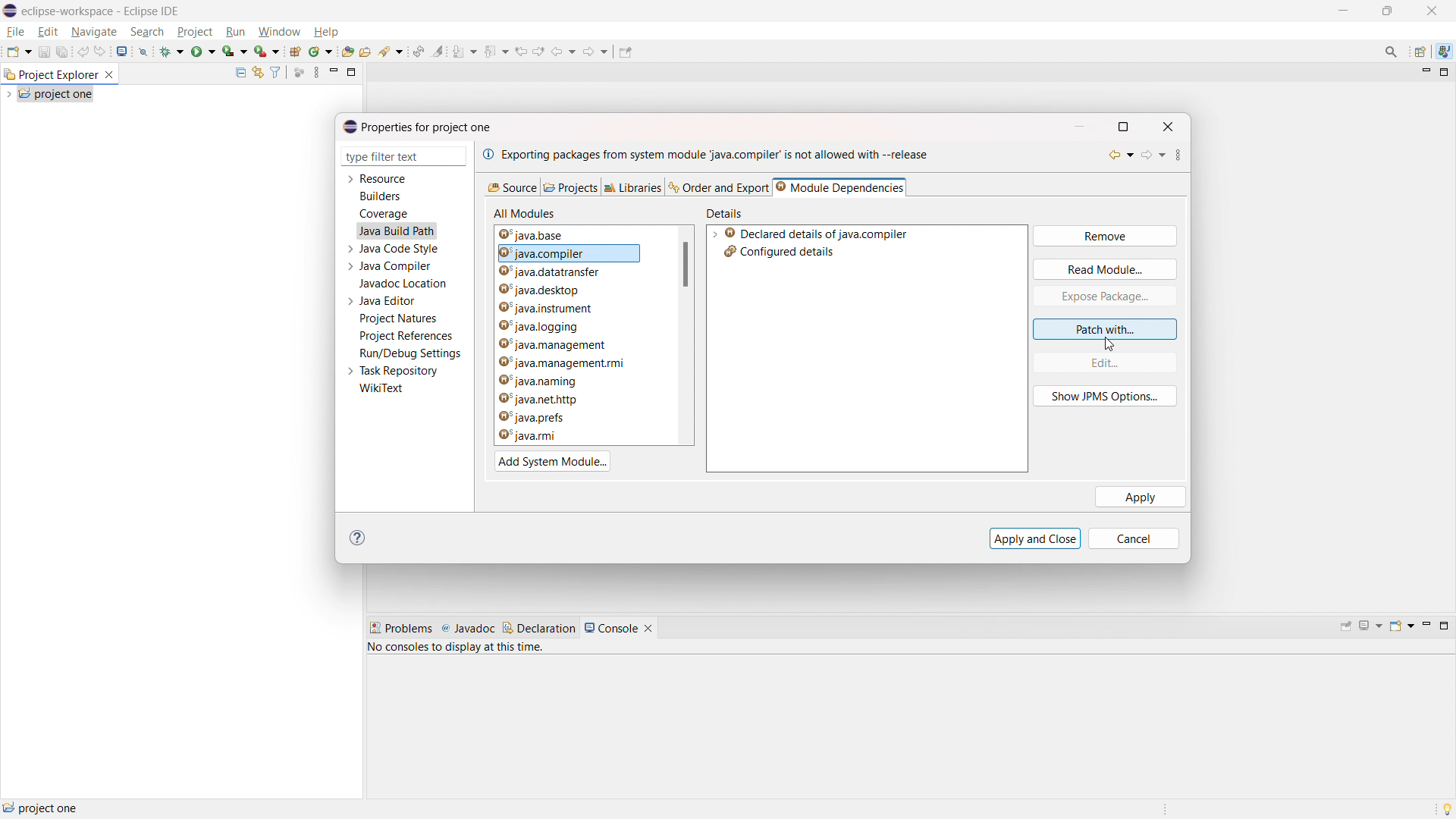 This screenshot has width=1456, height=819. I want to click on file, so click(16, 32).